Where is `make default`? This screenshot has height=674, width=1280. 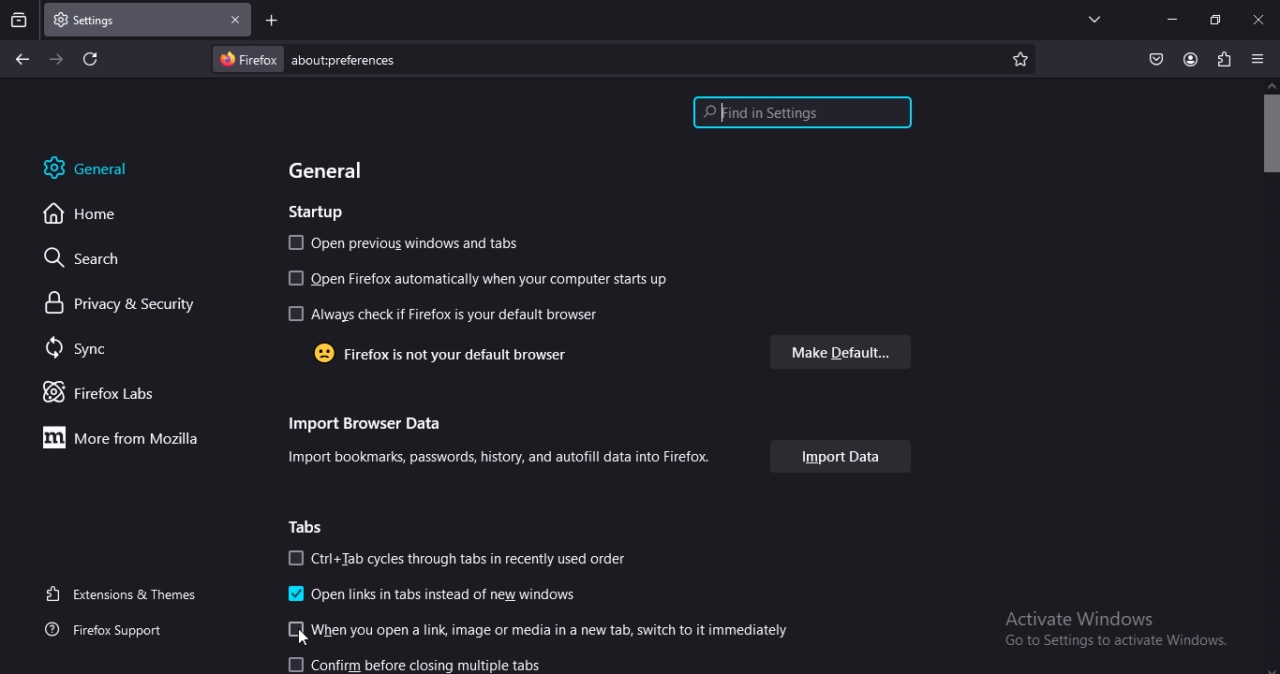
make default is located at coordinates (845, 352).